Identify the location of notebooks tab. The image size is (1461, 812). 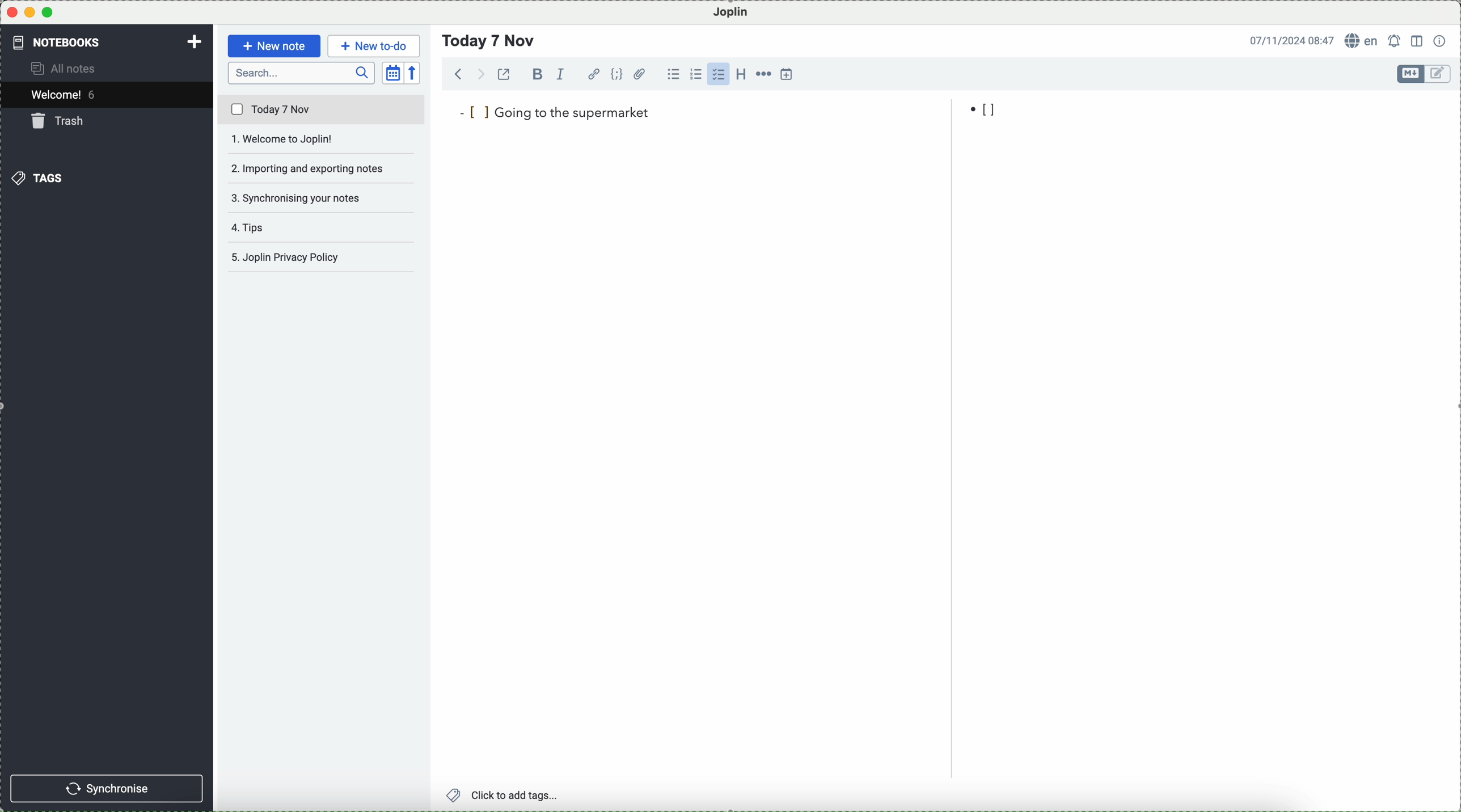
(66, 42).